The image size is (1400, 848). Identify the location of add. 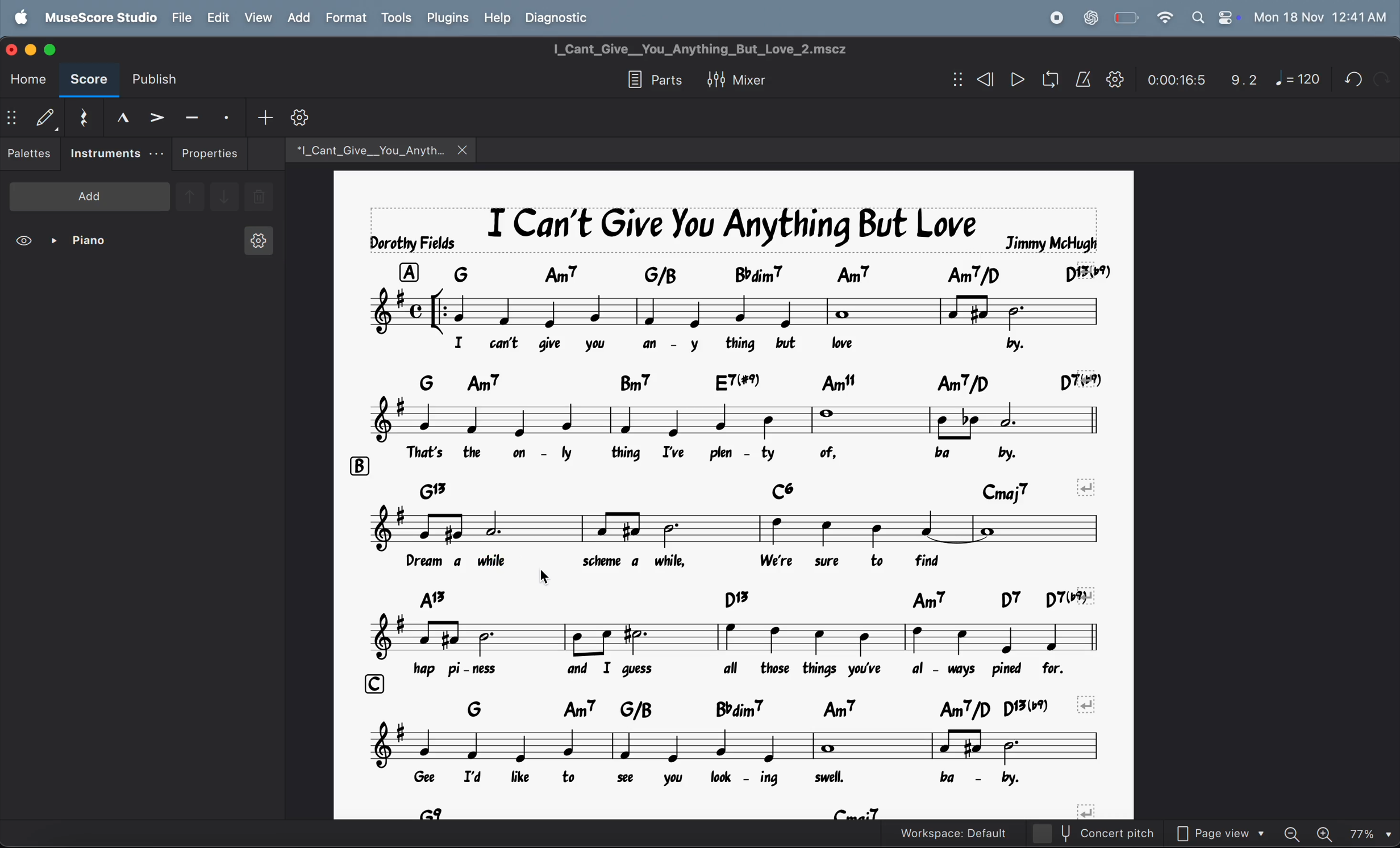
(263, 116).